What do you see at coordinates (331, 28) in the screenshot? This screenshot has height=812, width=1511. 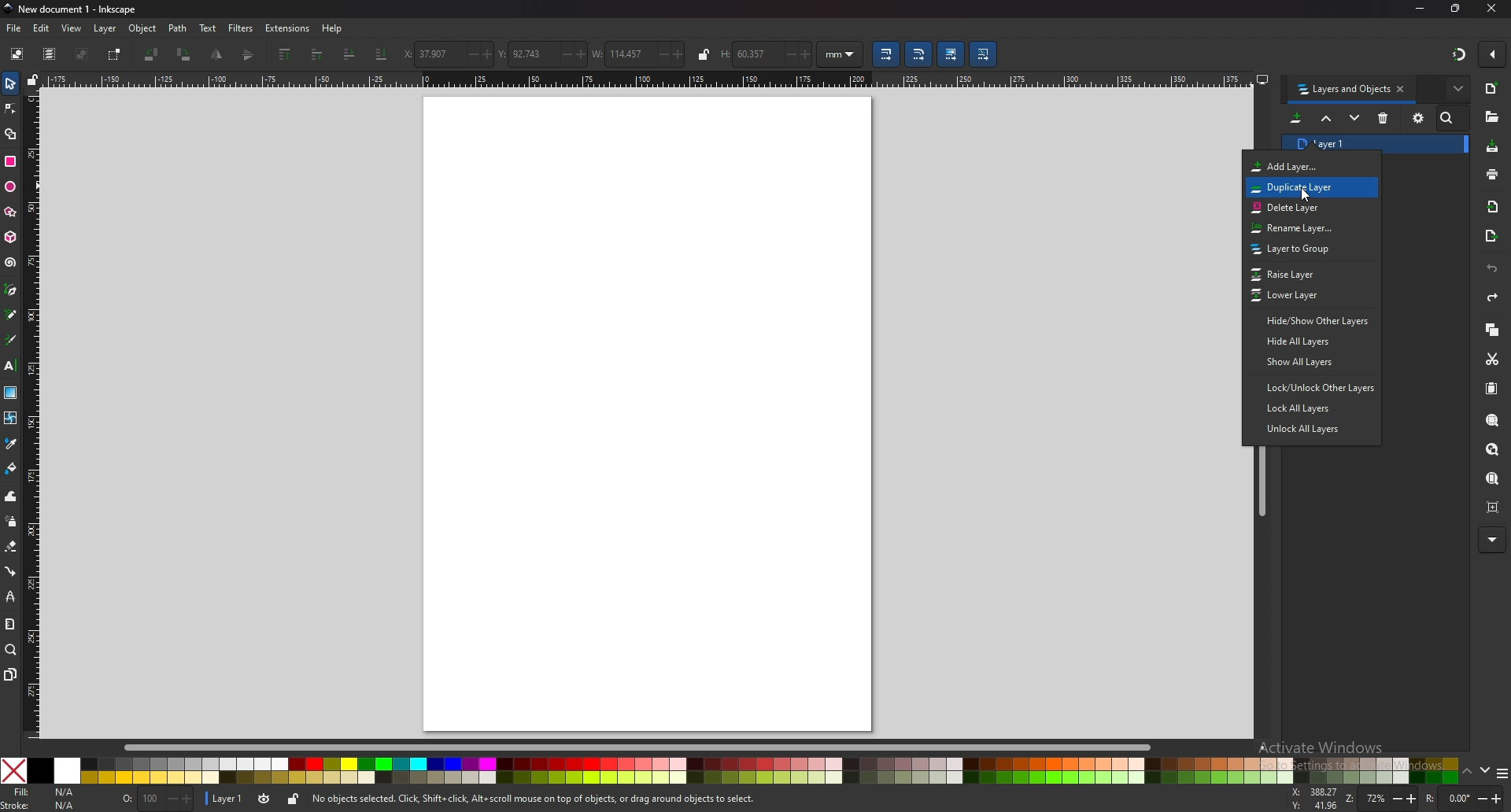 I see `help` at bounding box center [331, 28].